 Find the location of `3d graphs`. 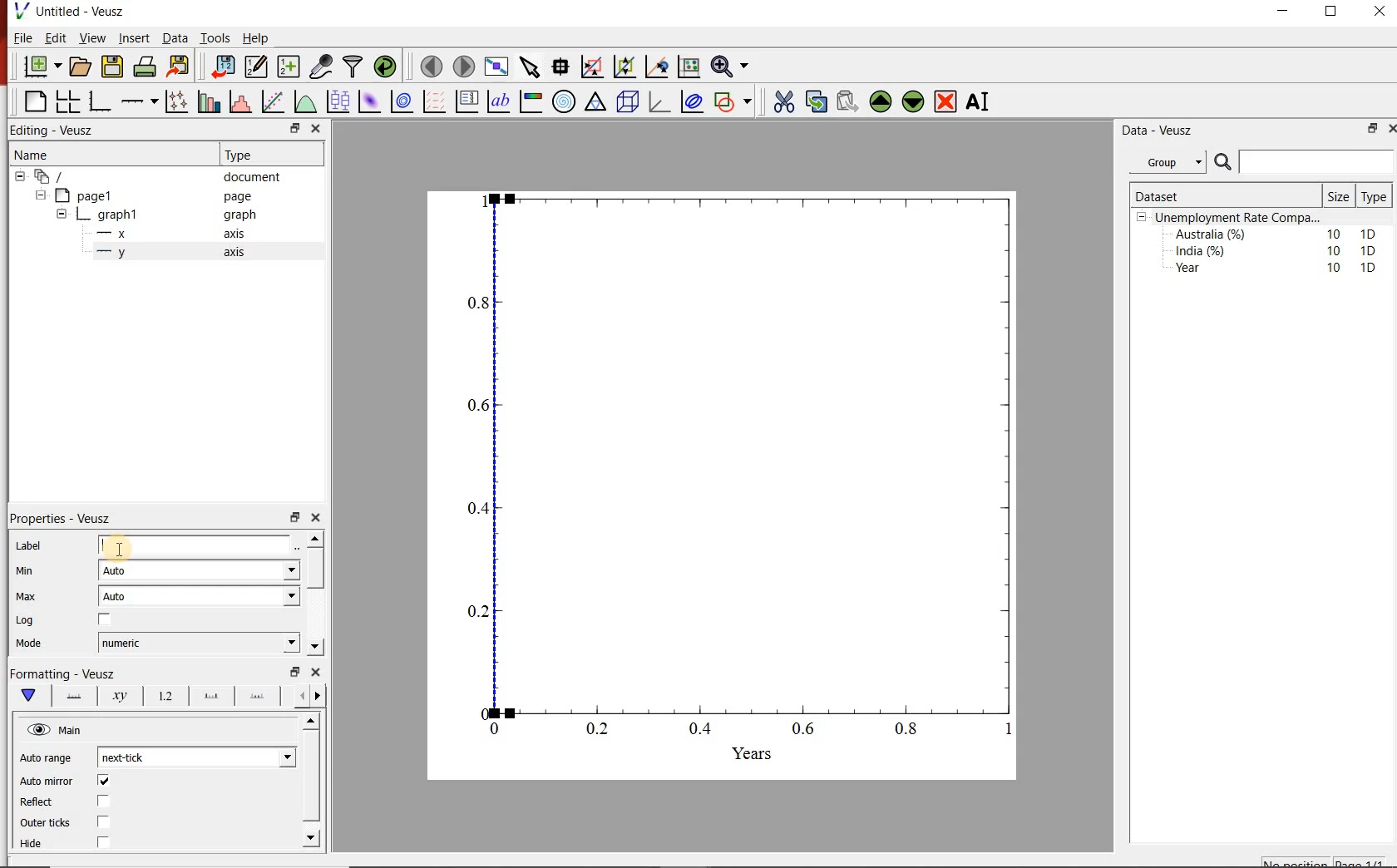

3d graphs is located at coordinates (659, 101).